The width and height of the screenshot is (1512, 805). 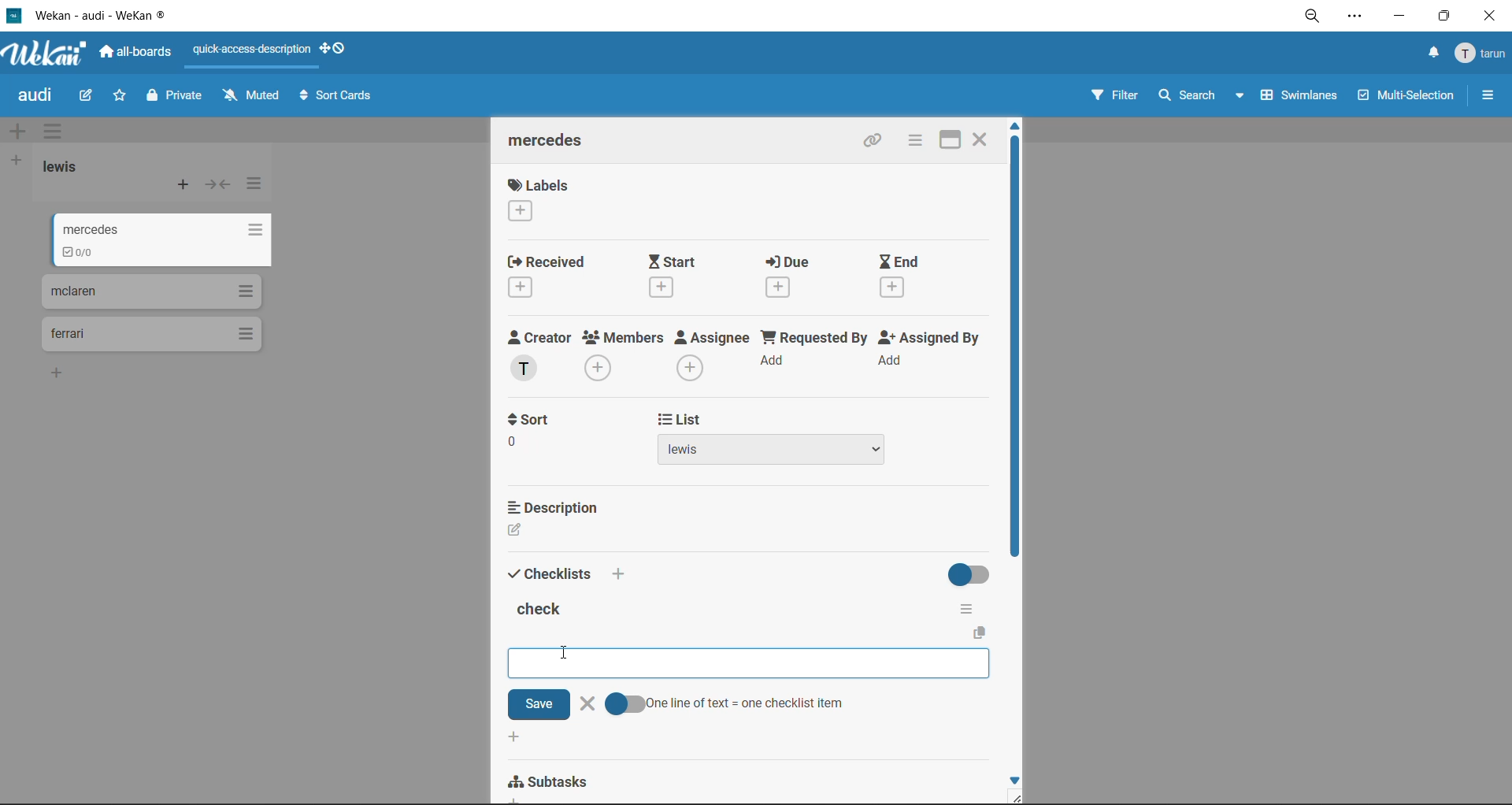 I want to click on sidebar, so click(x=1488, y=95).